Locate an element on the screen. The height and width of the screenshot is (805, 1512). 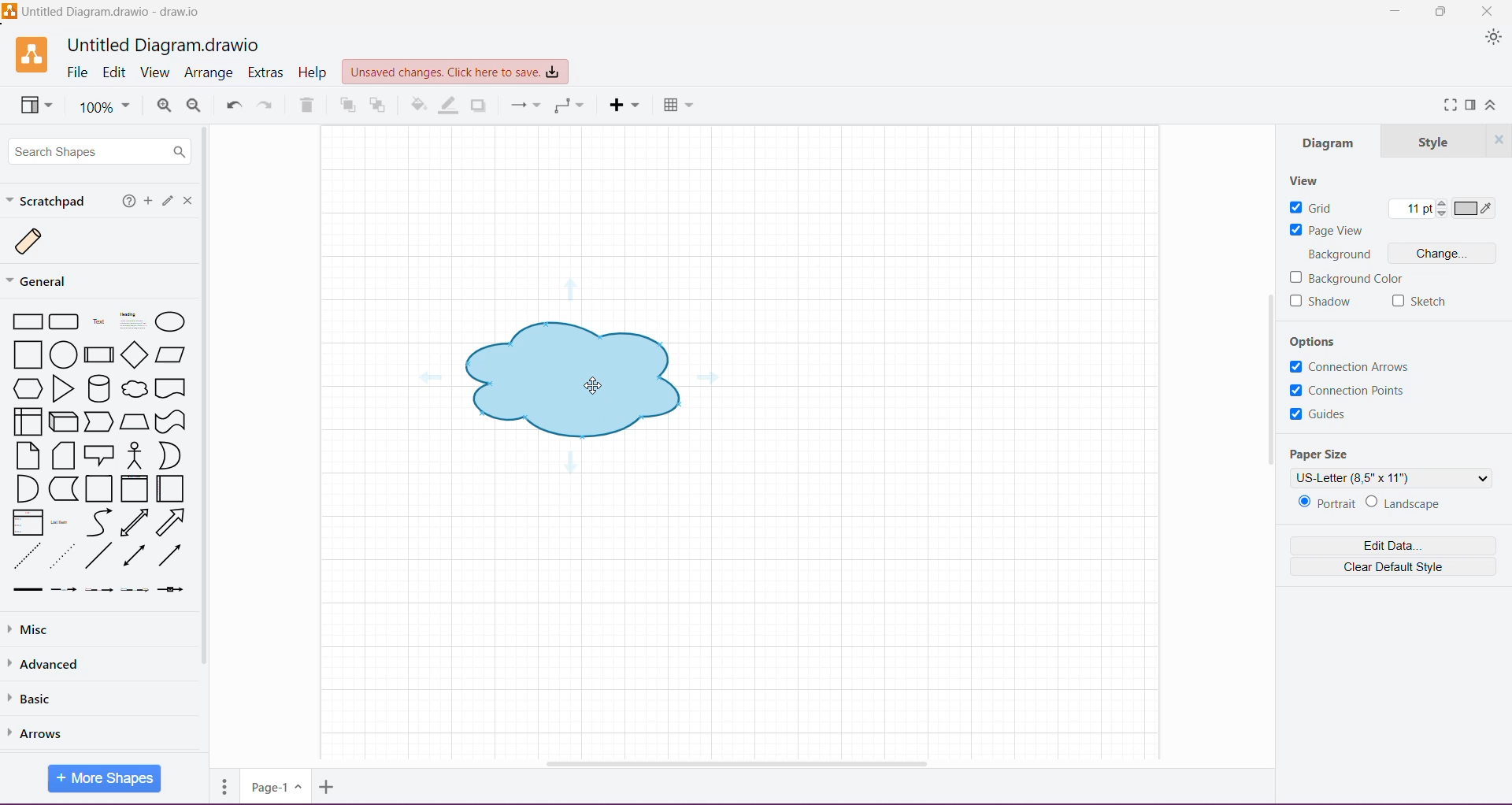
Available Shapes is located at coordinates (104, 454).